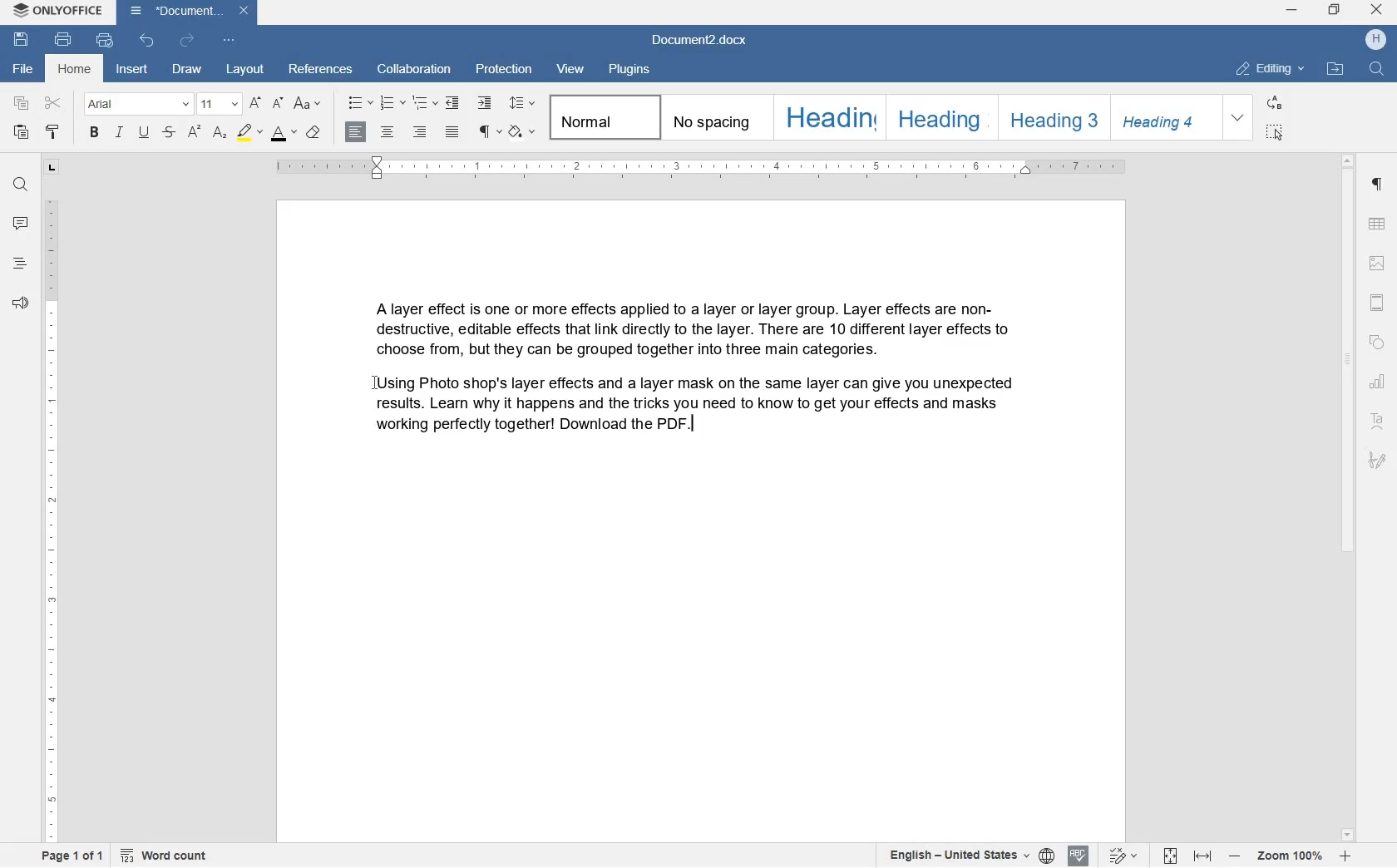 The height and width of the screenshot is (868, 1397). Describe the element at coordinates (190, 70) in the screenshot. I see `DRAW` at that location.